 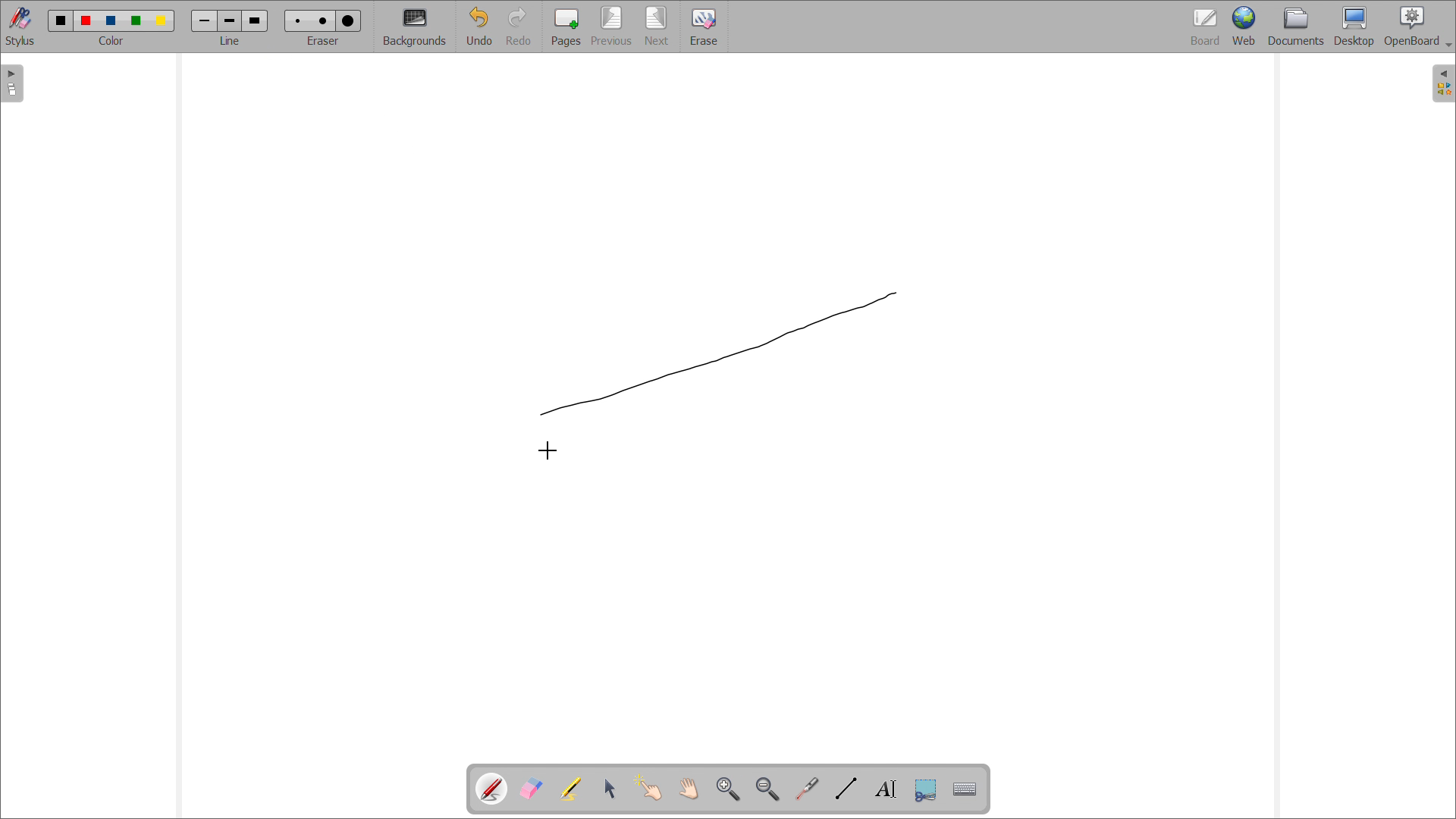 What do you see at coordinates (323, 20) in the screenshot?
I see `Eraser size` at bounding box center [323, 20].